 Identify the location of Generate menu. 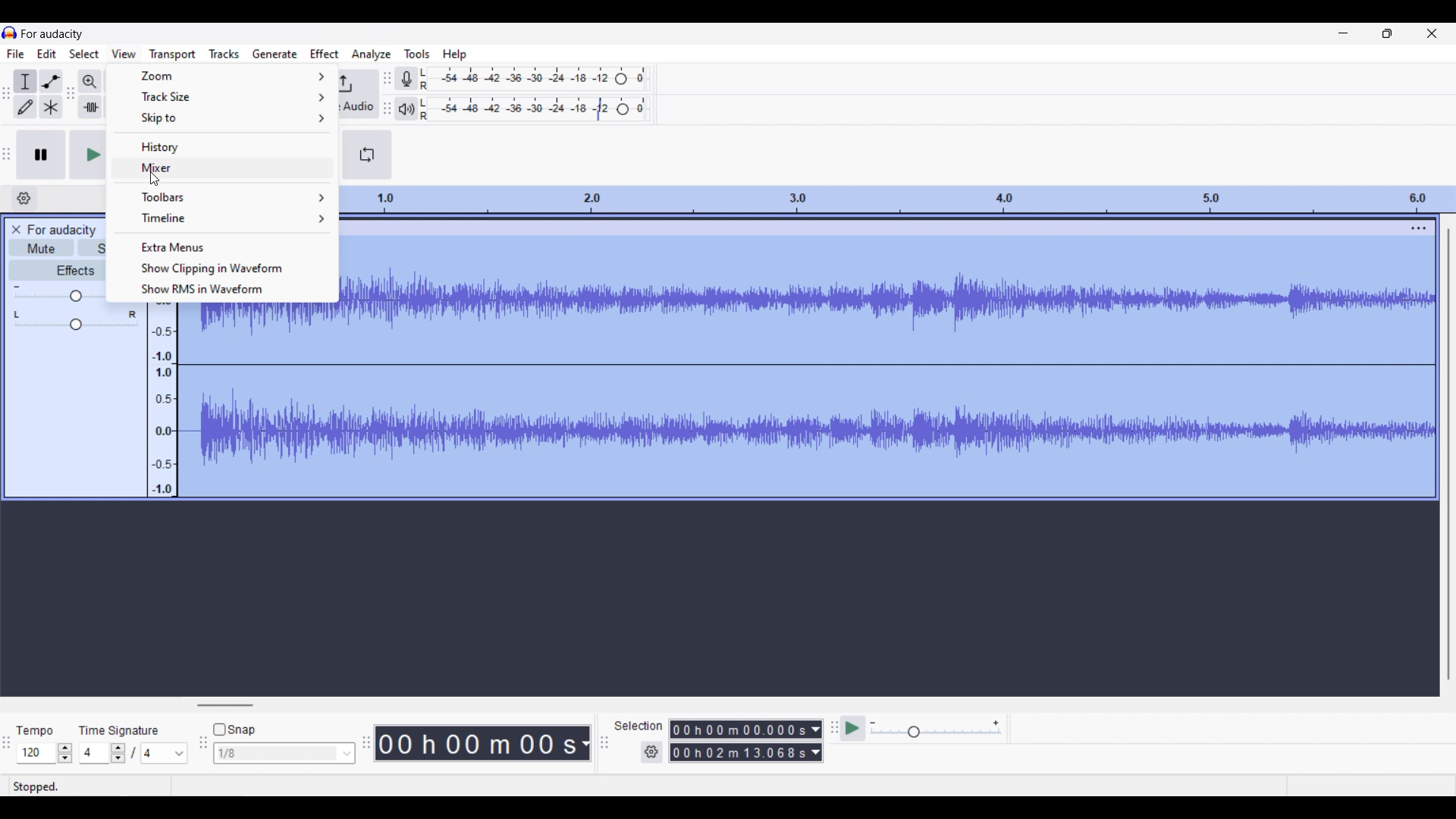
(275, 54).